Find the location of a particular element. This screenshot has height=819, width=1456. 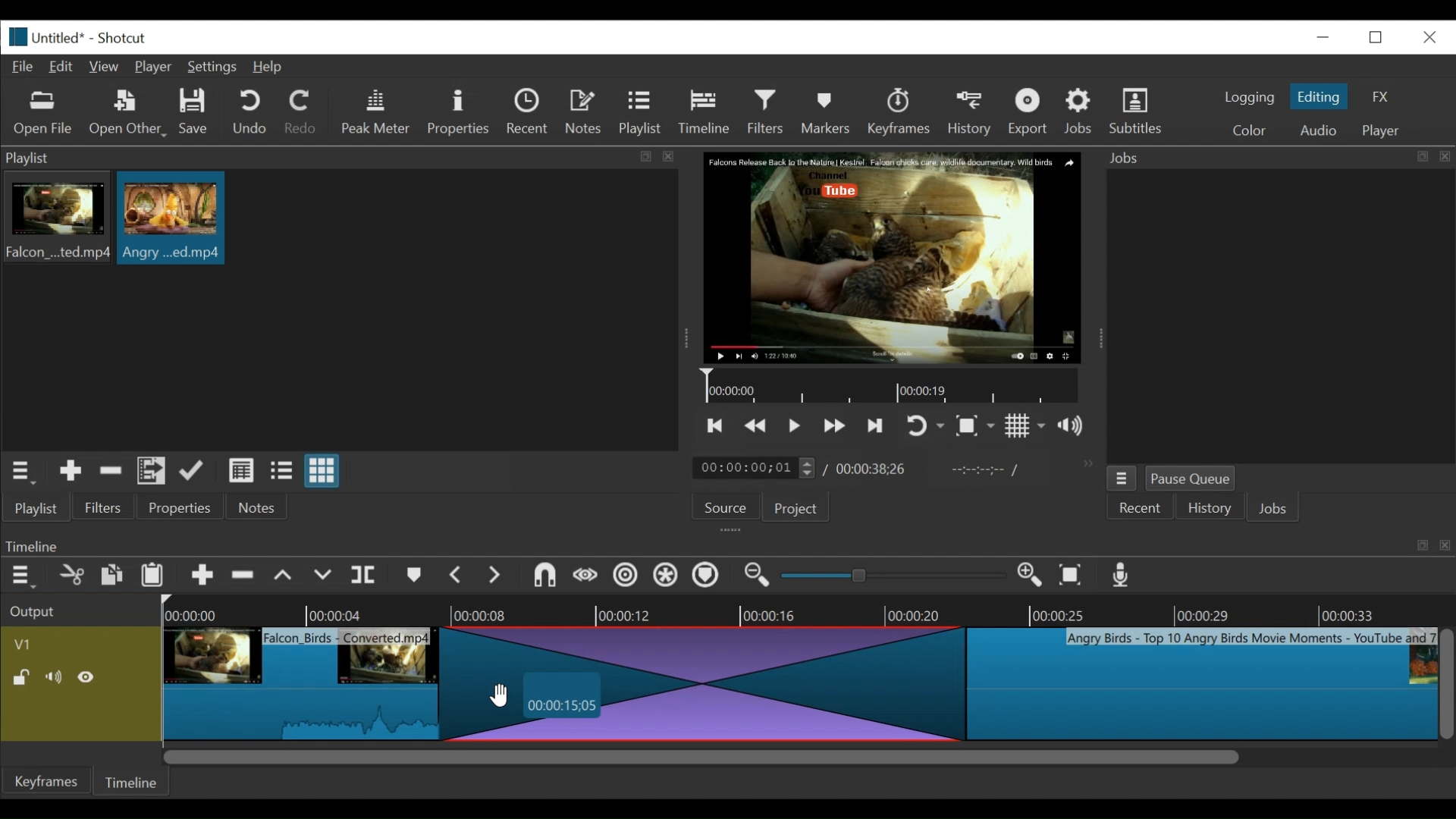

Filters is located at coordinates (770, 112).